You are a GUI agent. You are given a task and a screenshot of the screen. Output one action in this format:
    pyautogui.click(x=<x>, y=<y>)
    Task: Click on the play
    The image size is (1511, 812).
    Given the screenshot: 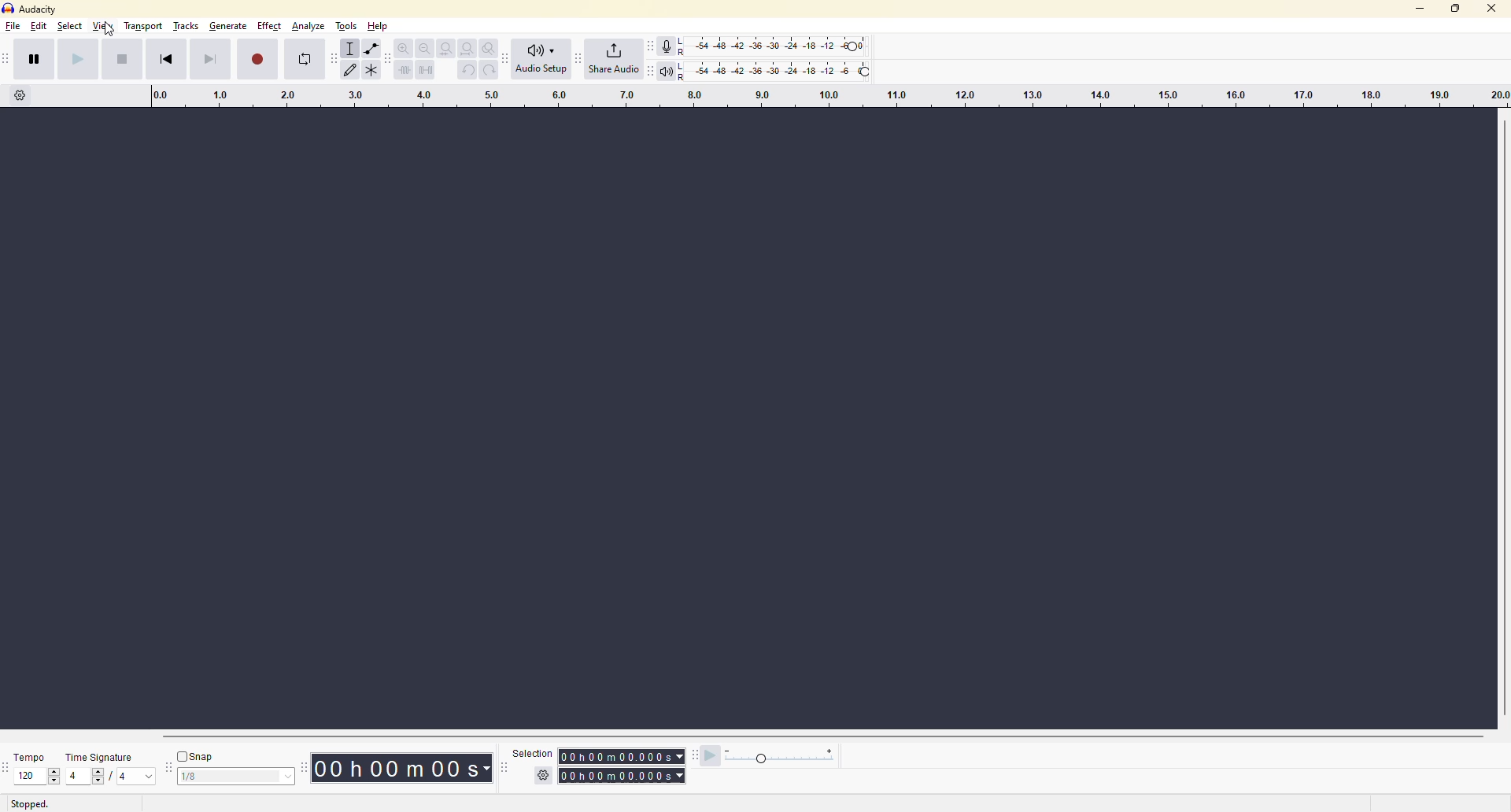 What is the action you would take?
    pyautogui.click(x=74, y=58)
    